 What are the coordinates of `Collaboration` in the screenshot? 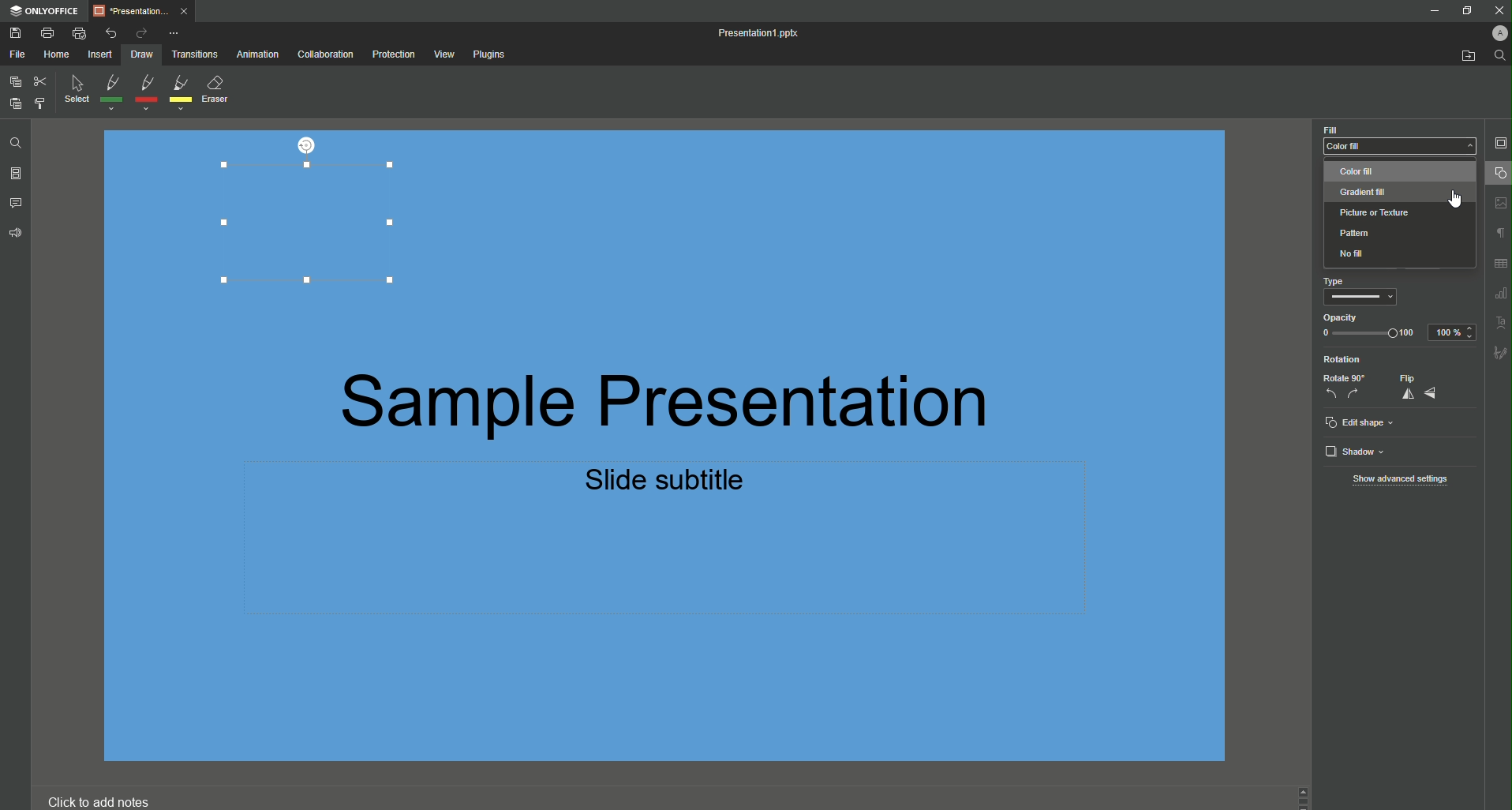 It's located at (324, 55).